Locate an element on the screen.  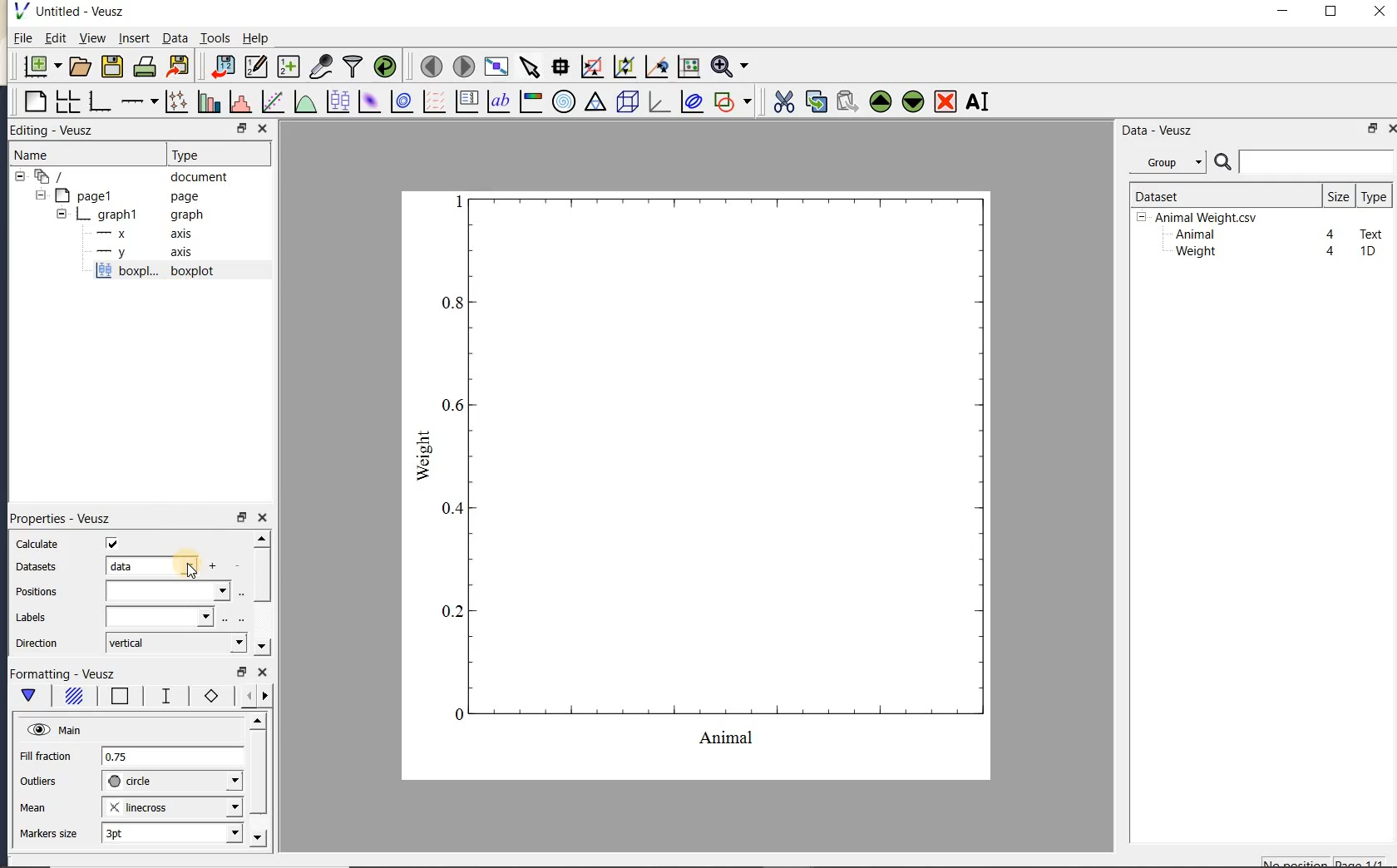
positions is located at coordinates (36, 594).